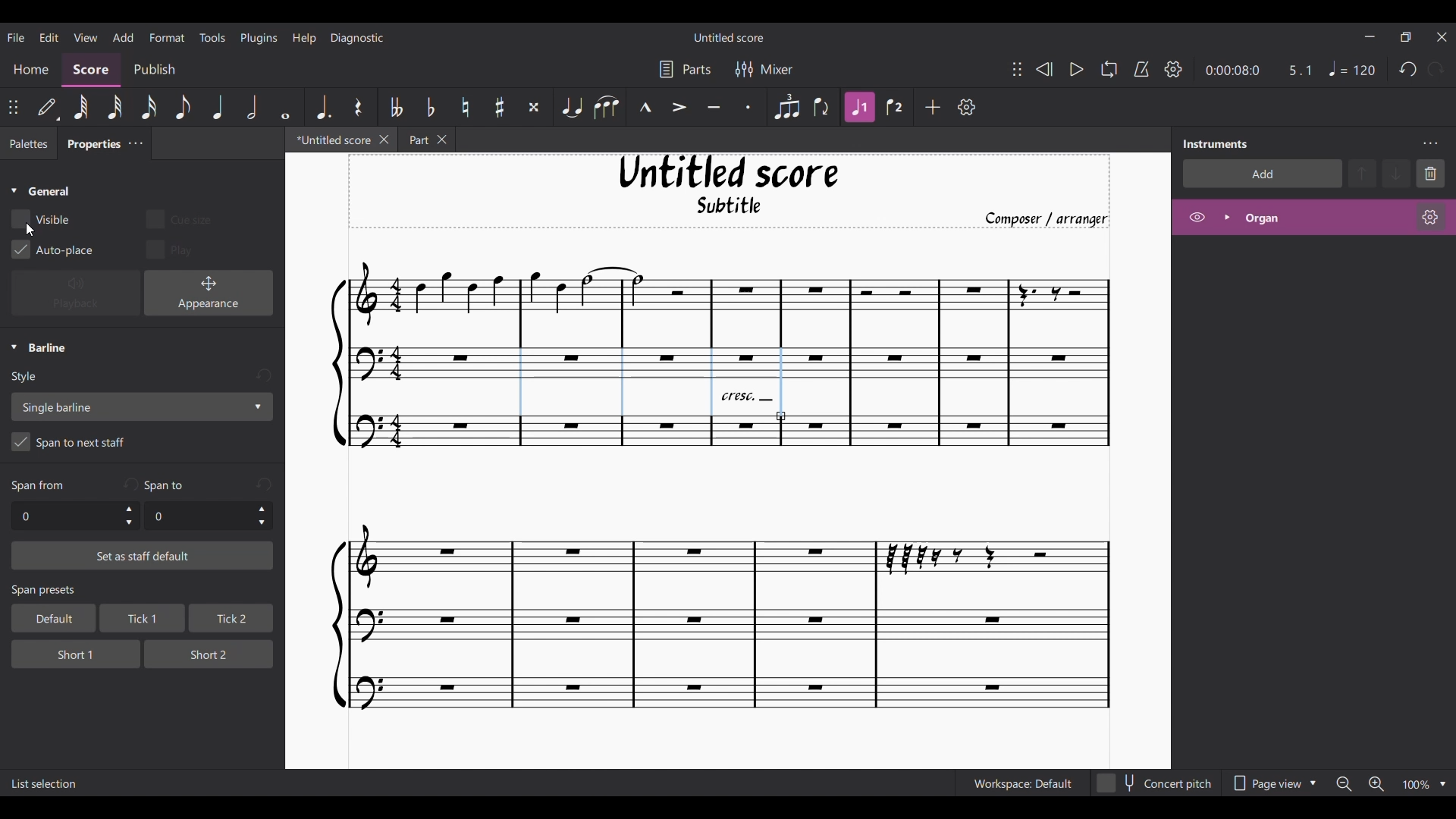  I want to click on Tempo, so click(1352, 69).